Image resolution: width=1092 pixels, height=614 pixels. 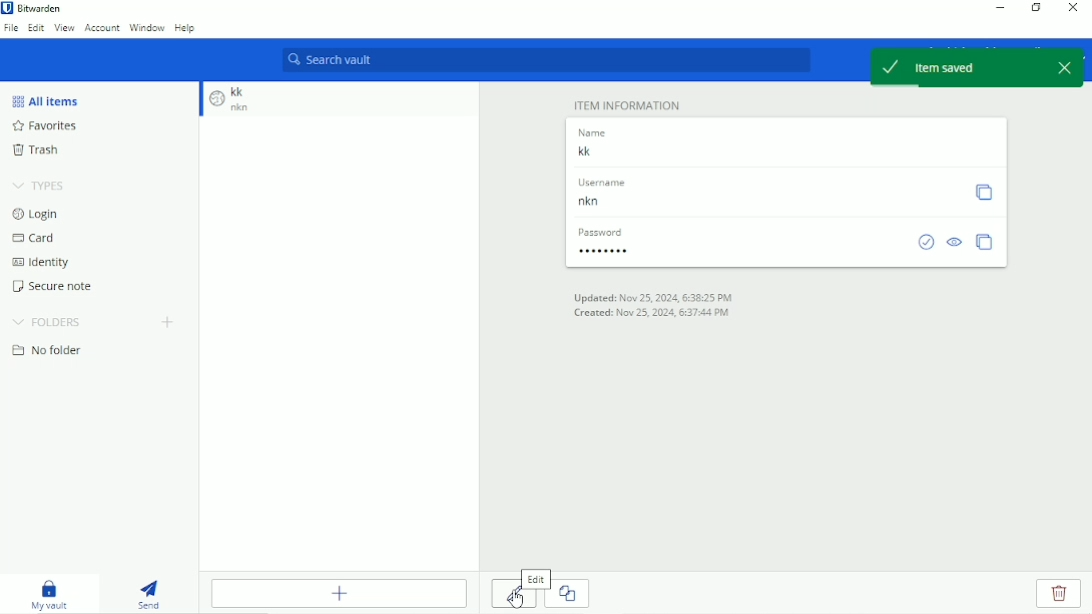 What do you see at coordinates (48, 126) in the screenshot?
I see `Favorites` at bounding box center [48, 126].